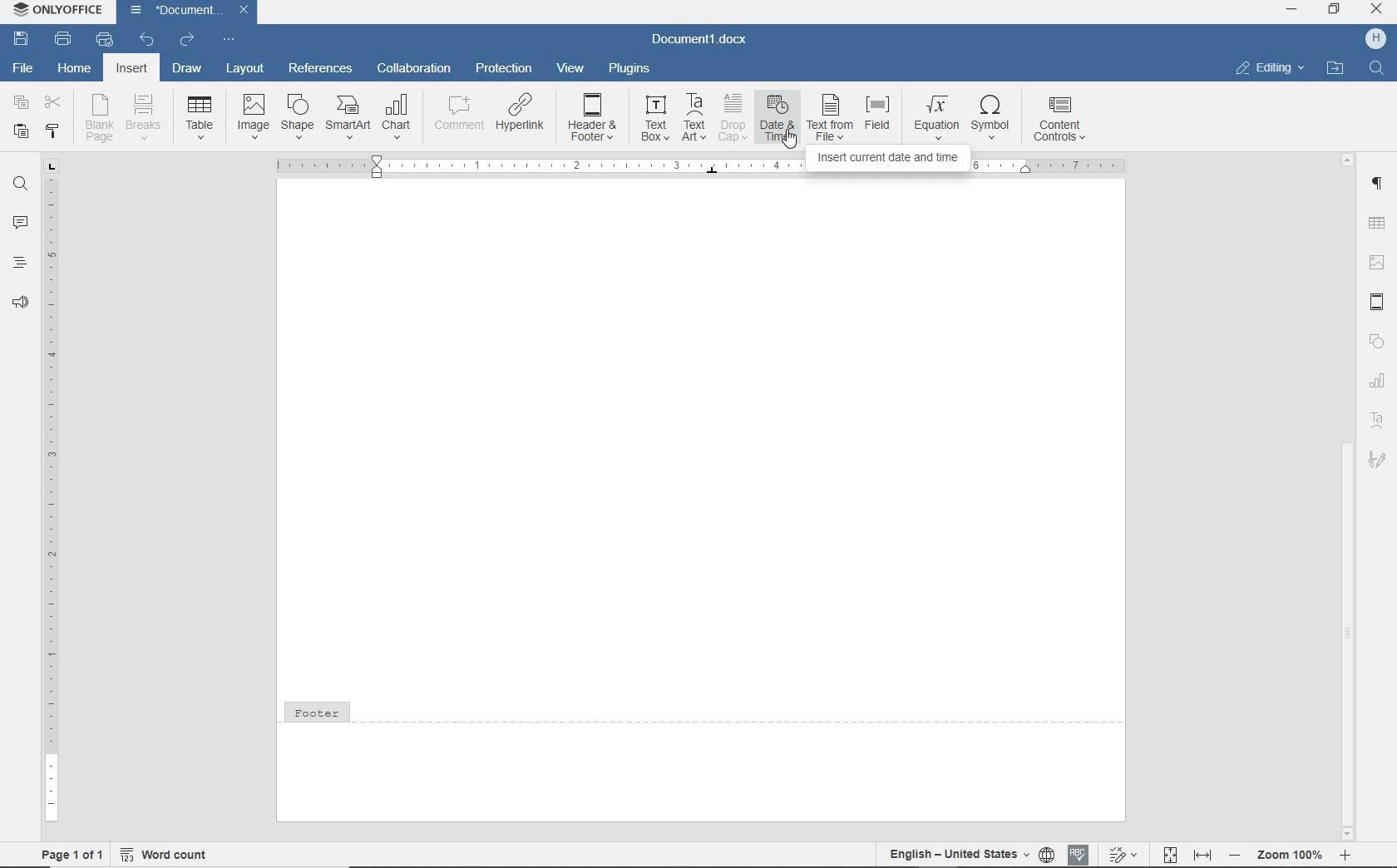 The height and width of the screenshot is (868, 1397). Describe the element at coordinates (18, 185) in the screenshot. I see `find` at that location.